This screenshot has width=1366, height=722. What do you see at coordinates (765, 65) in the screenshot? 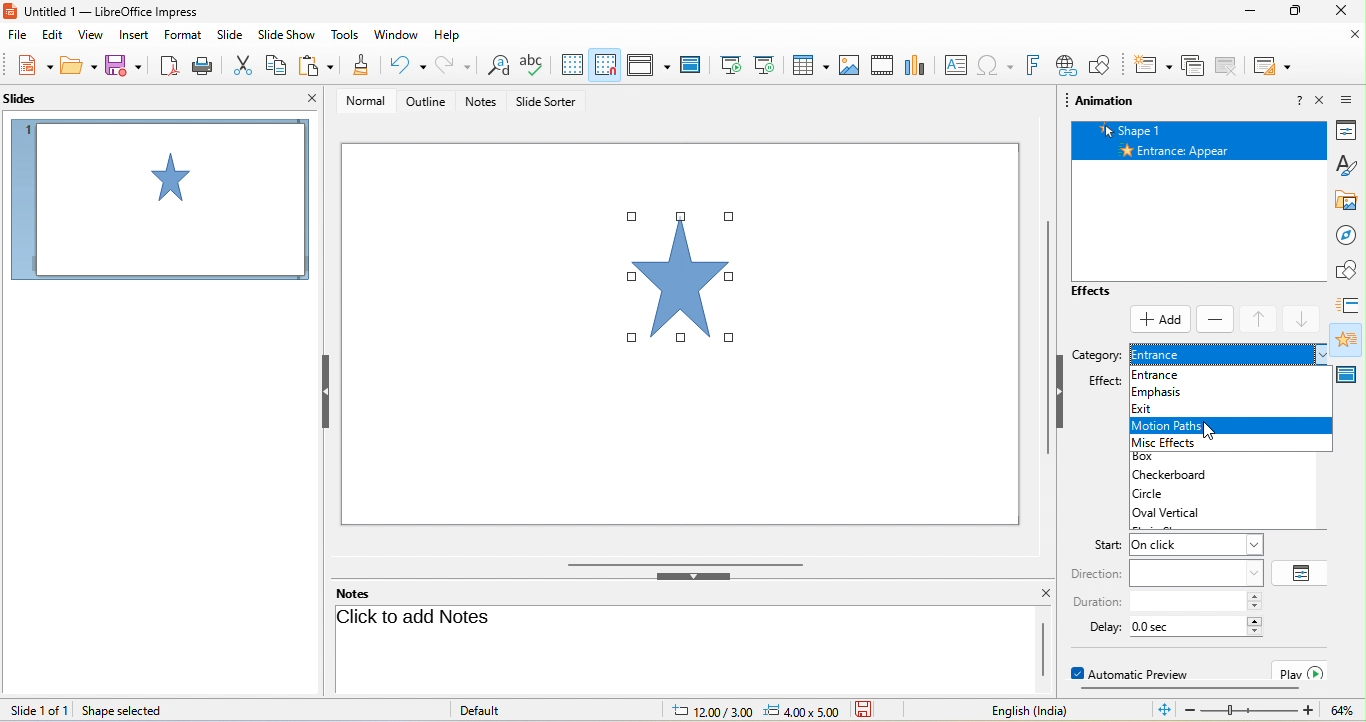
I see `start from current slide` at bounding box center [765, 65].